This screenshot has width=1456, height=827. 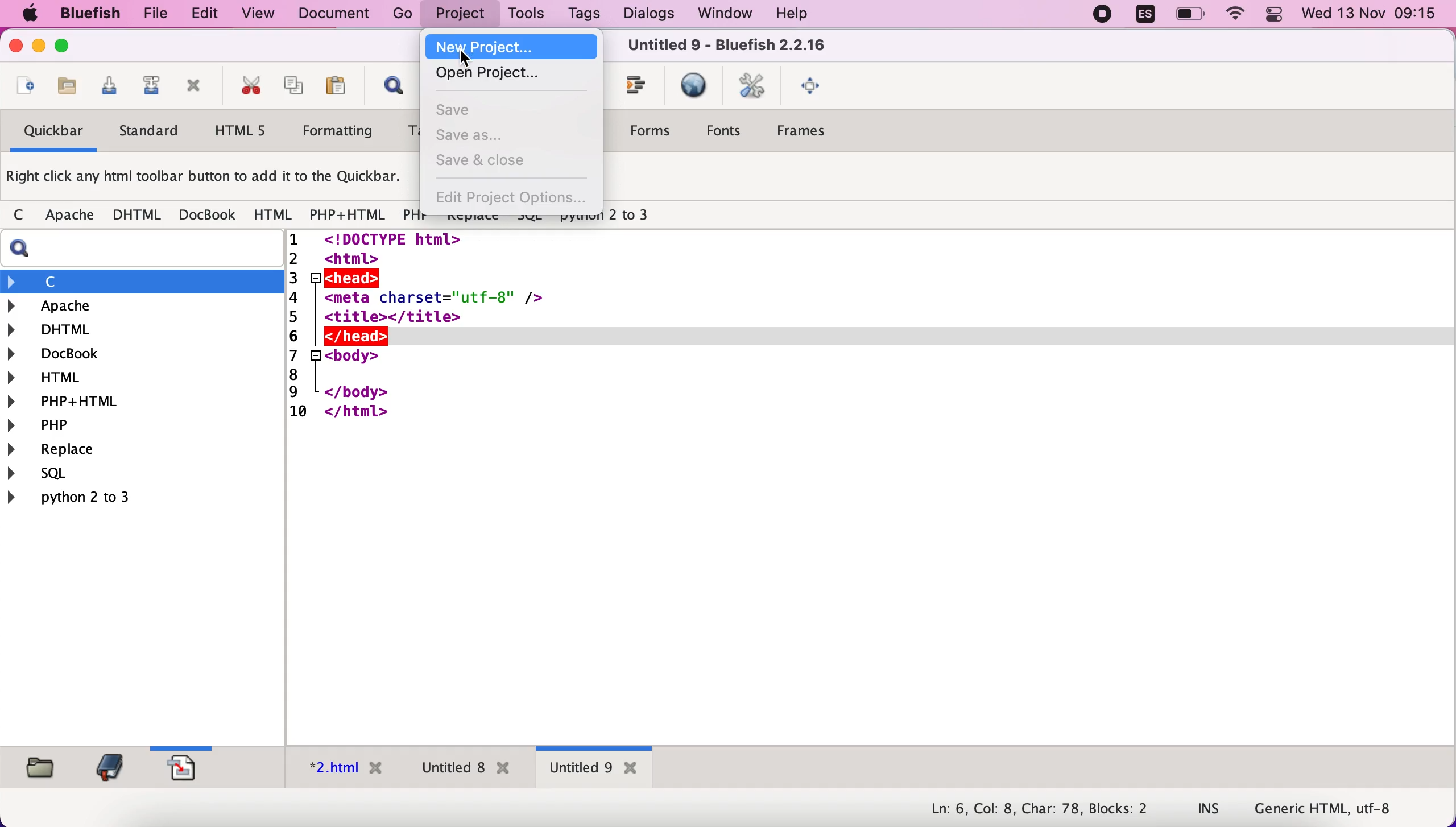 What do you see at coordinates (85, 13) in the screenshot?
I see `bluefish` at bounding box center [85, 13].